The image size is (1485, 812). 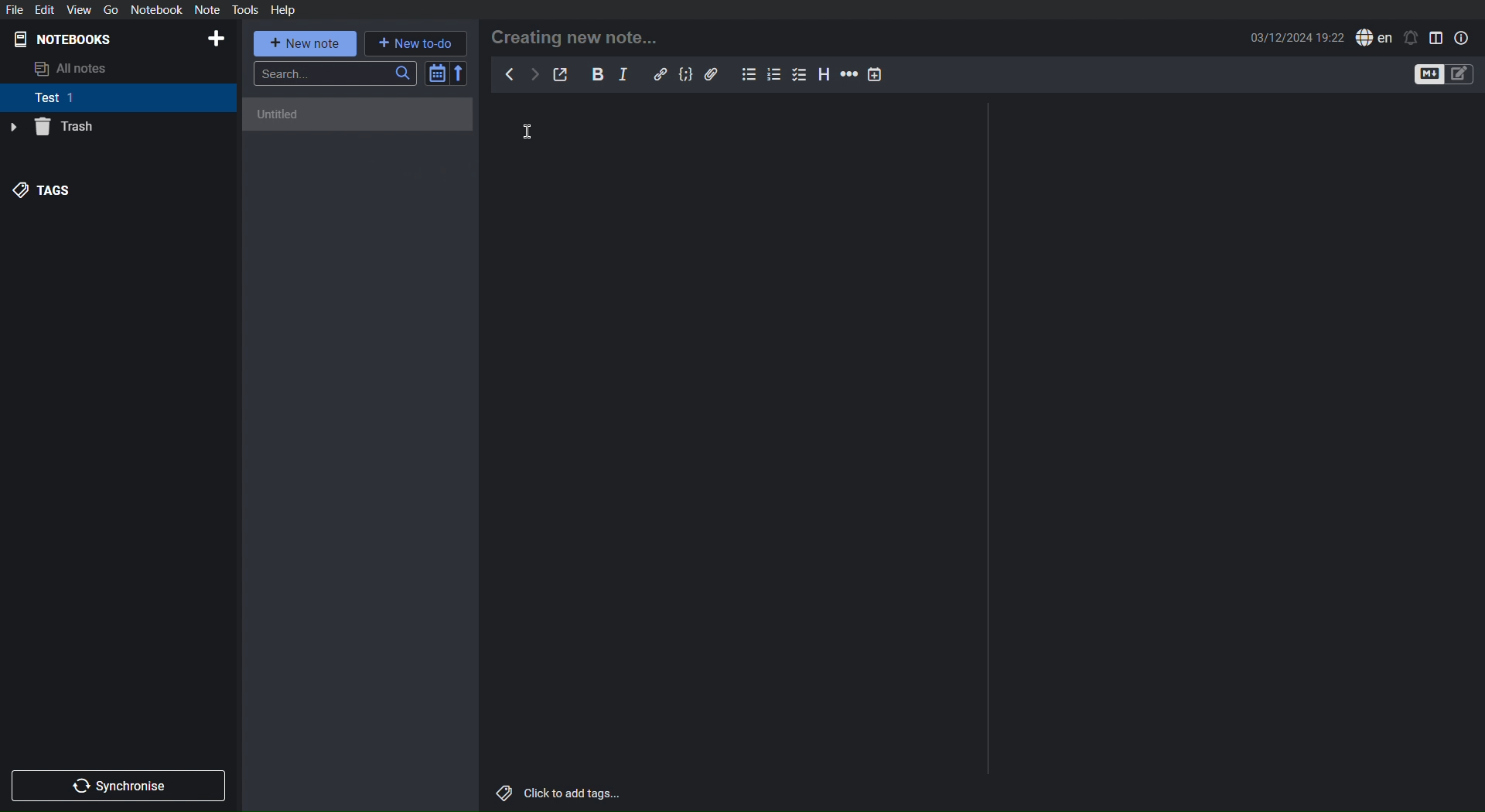 I want to click on Insert Link, so click(x=660, y=74).